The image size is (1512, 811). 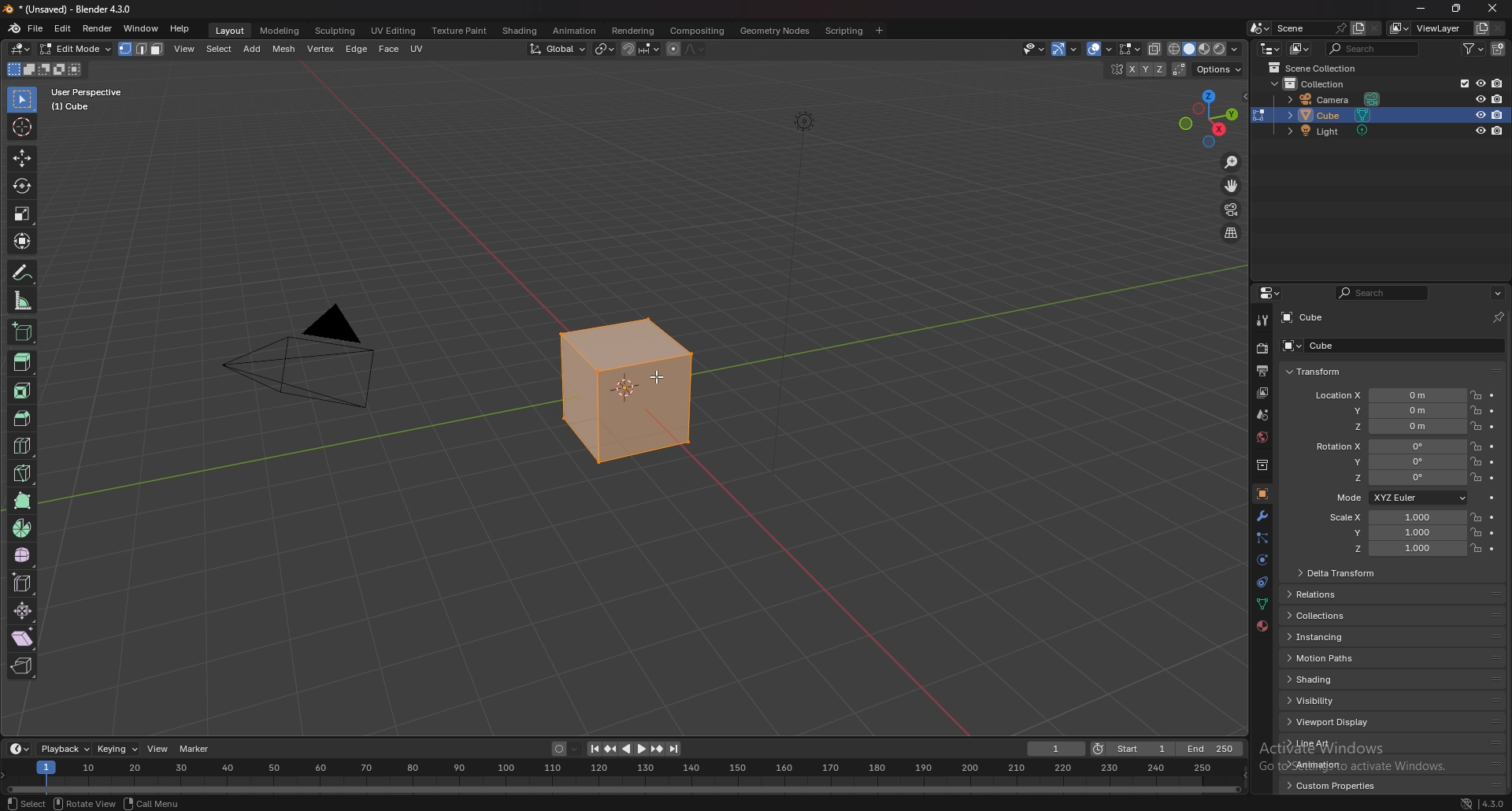 I want to click on custom properties, so click(x=1339, y=785).